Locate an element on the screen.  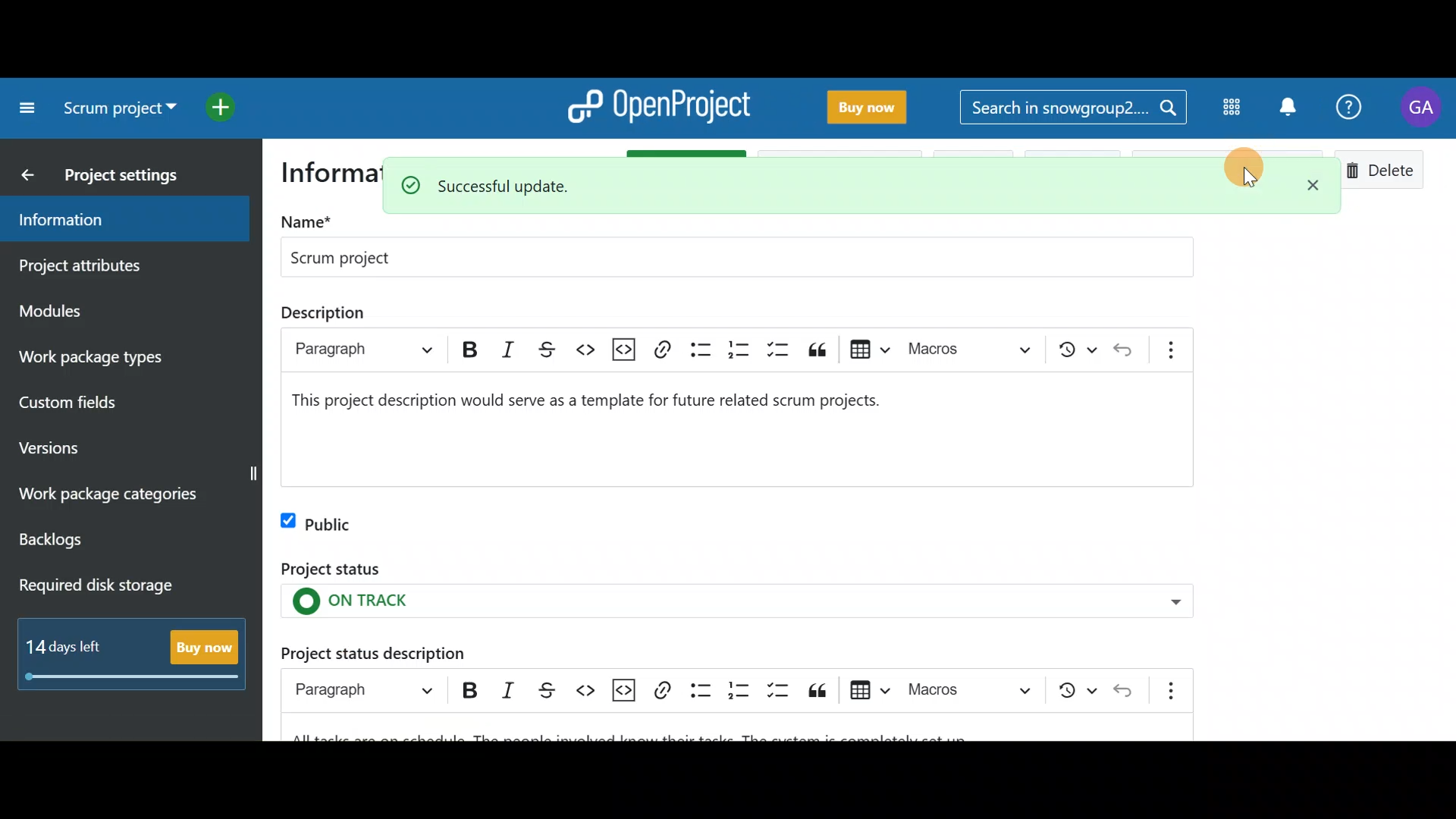
to-do list is located at coordinates (777, 350).